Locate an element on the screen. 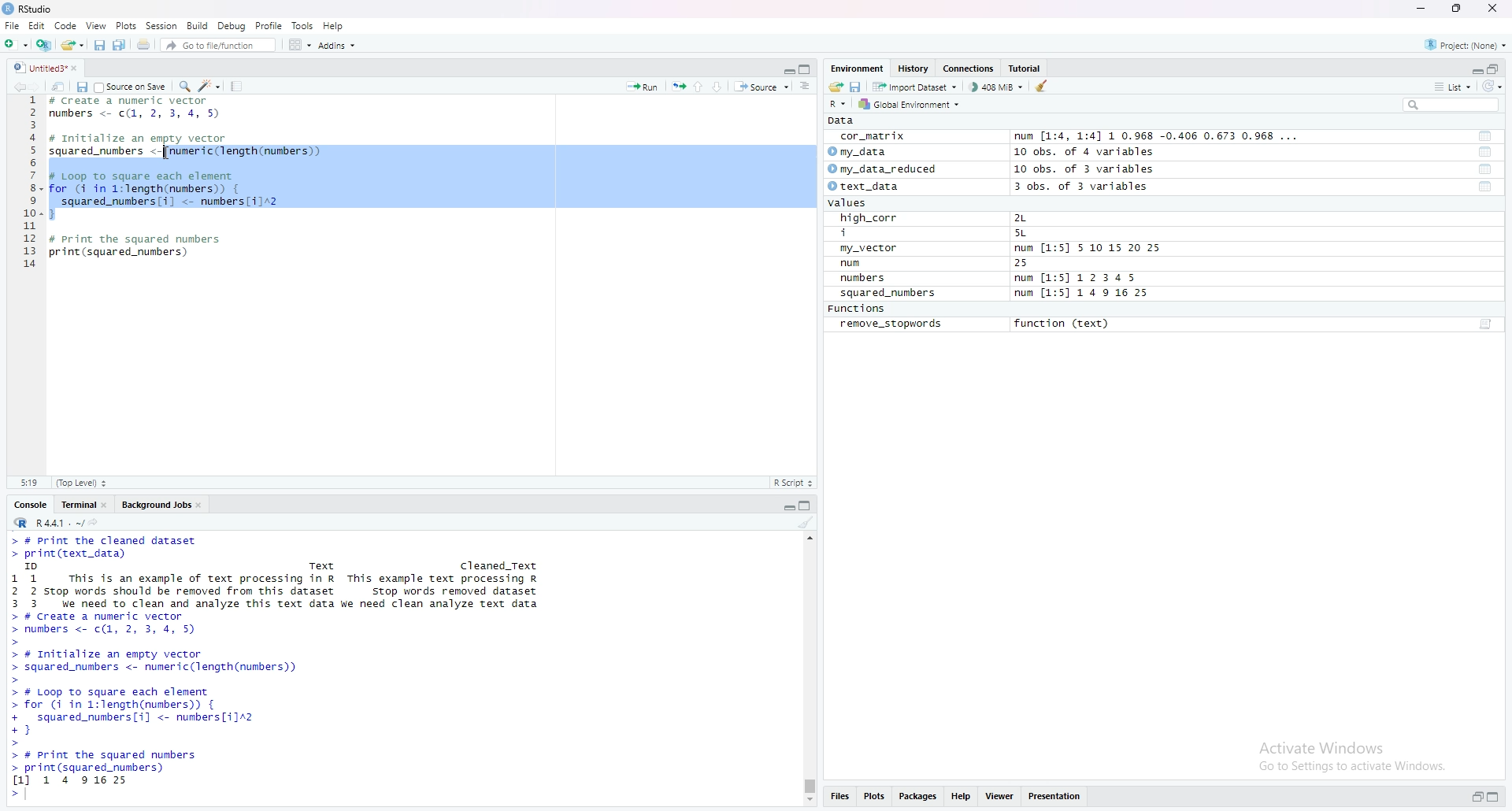  num is located at coordinates (868, 264).